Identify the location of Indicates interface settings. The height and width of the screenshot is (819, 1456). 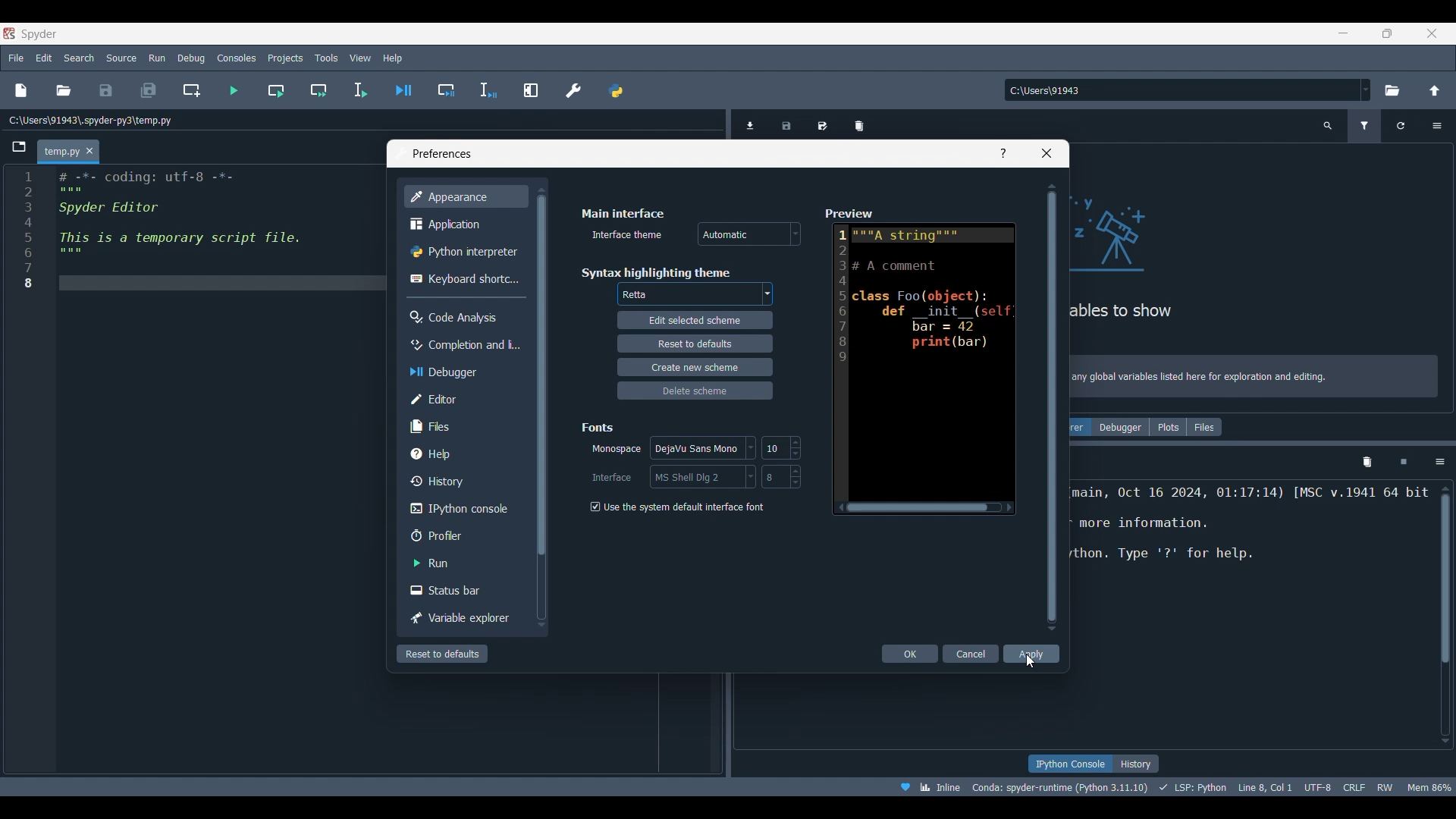
(612, 478).